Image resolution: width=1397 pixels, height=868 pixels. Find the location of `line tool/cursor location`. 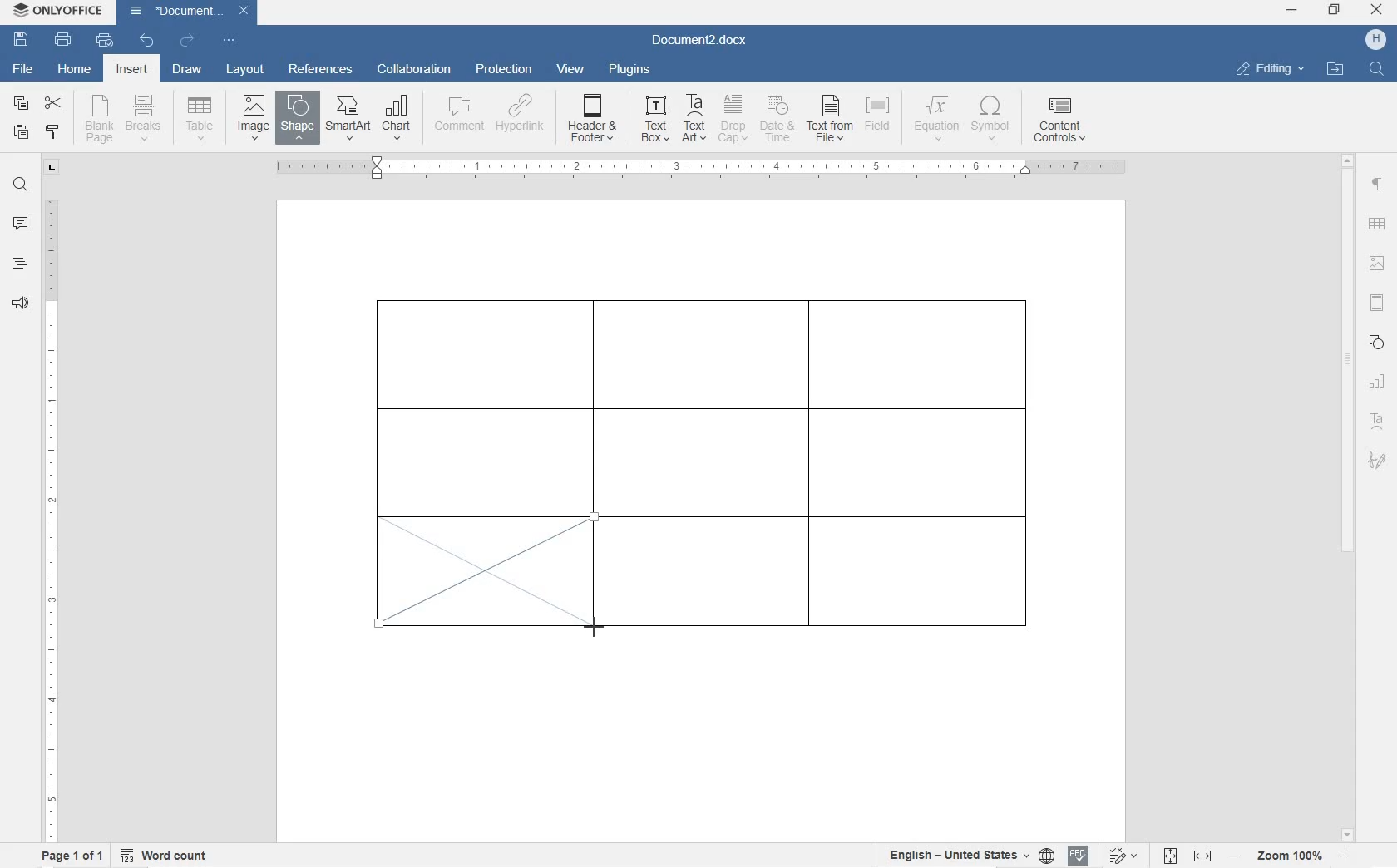

line tool/cursor location is located at coordinates (595, 626).